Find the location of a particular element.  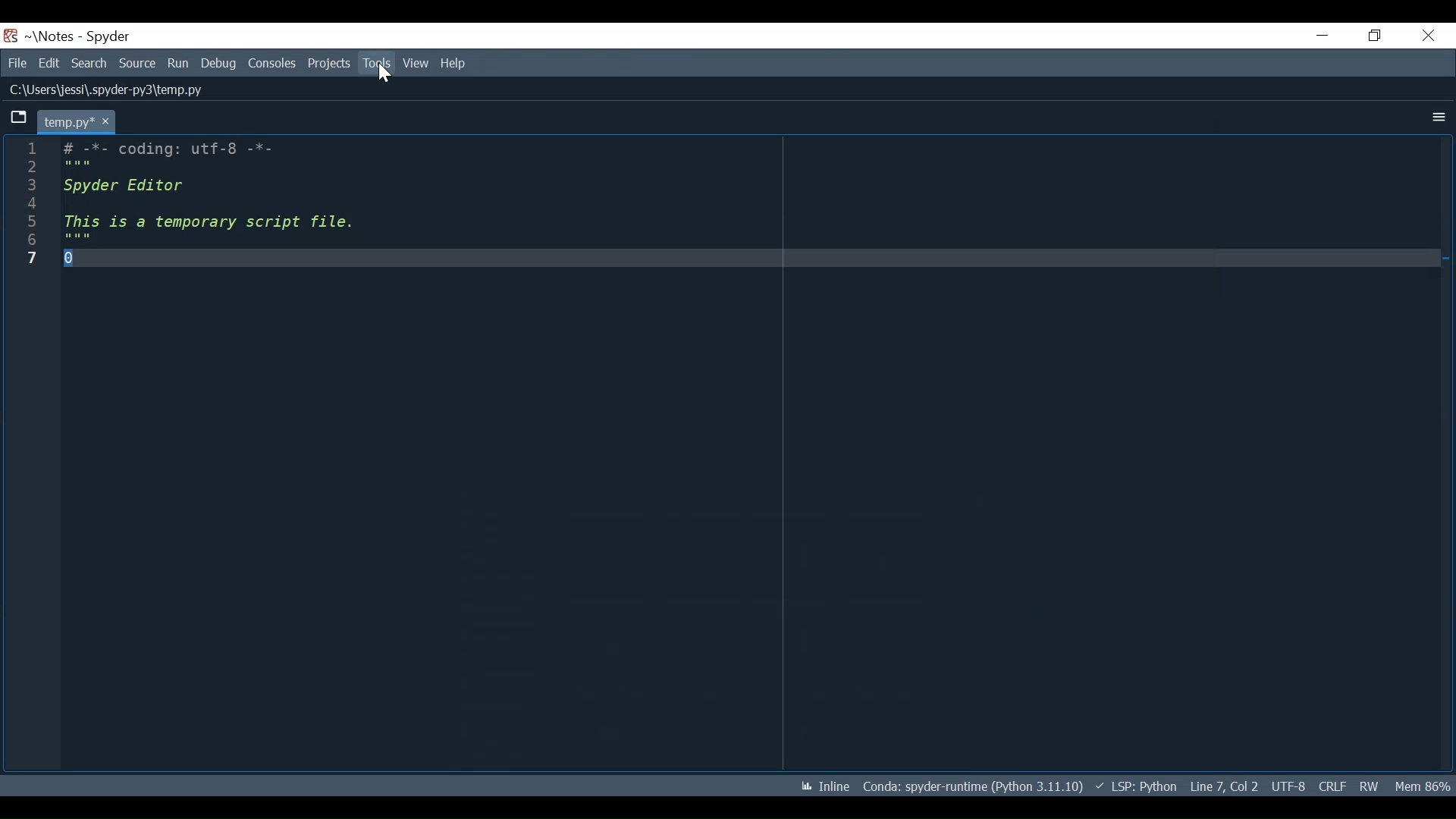

View is located at coordinates (416, 63).